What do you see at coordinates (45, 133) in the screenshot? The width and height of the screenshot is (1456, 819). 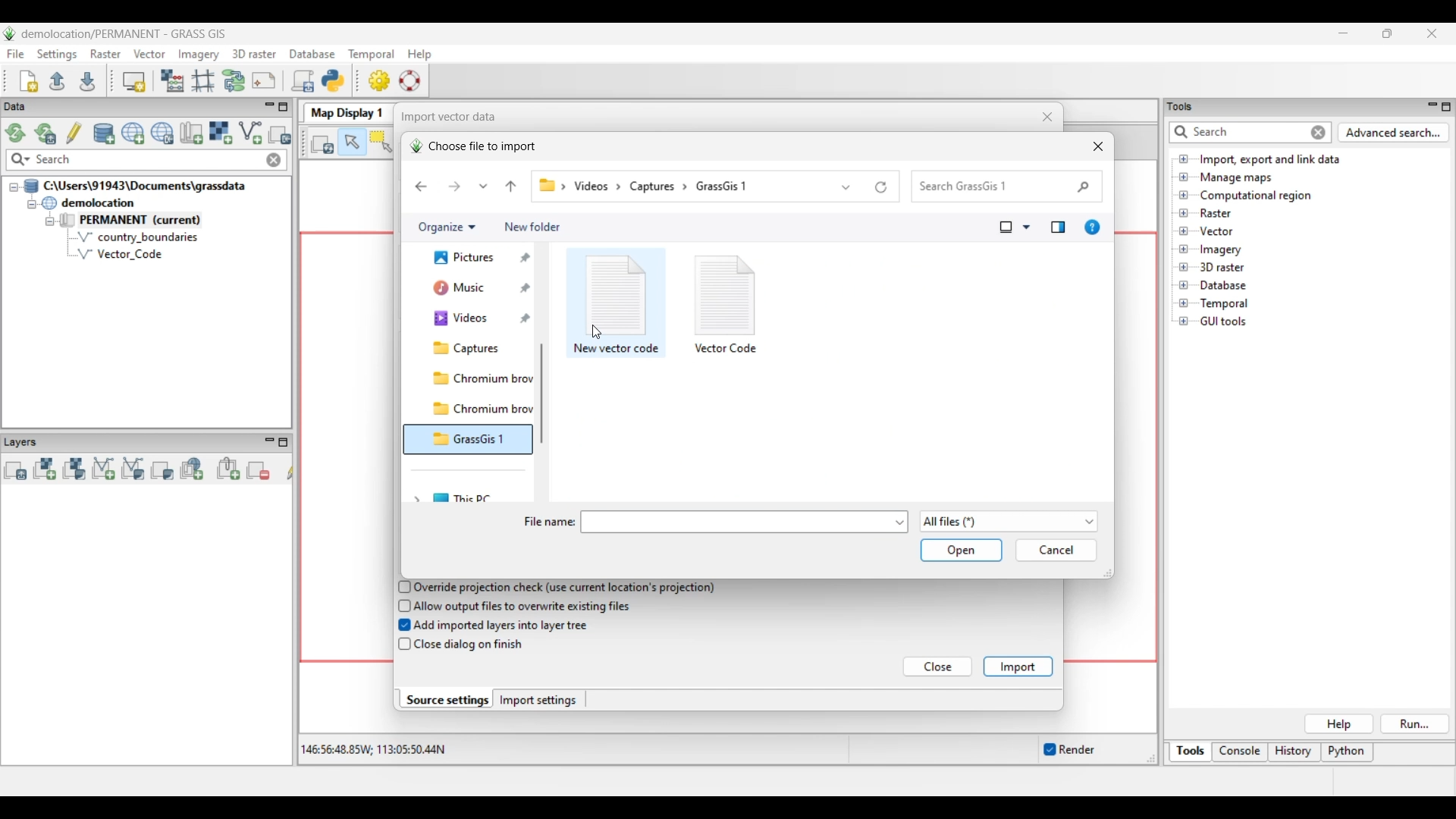 I see `Reload current GRASS mapset only` at bounding box center [45, 133].